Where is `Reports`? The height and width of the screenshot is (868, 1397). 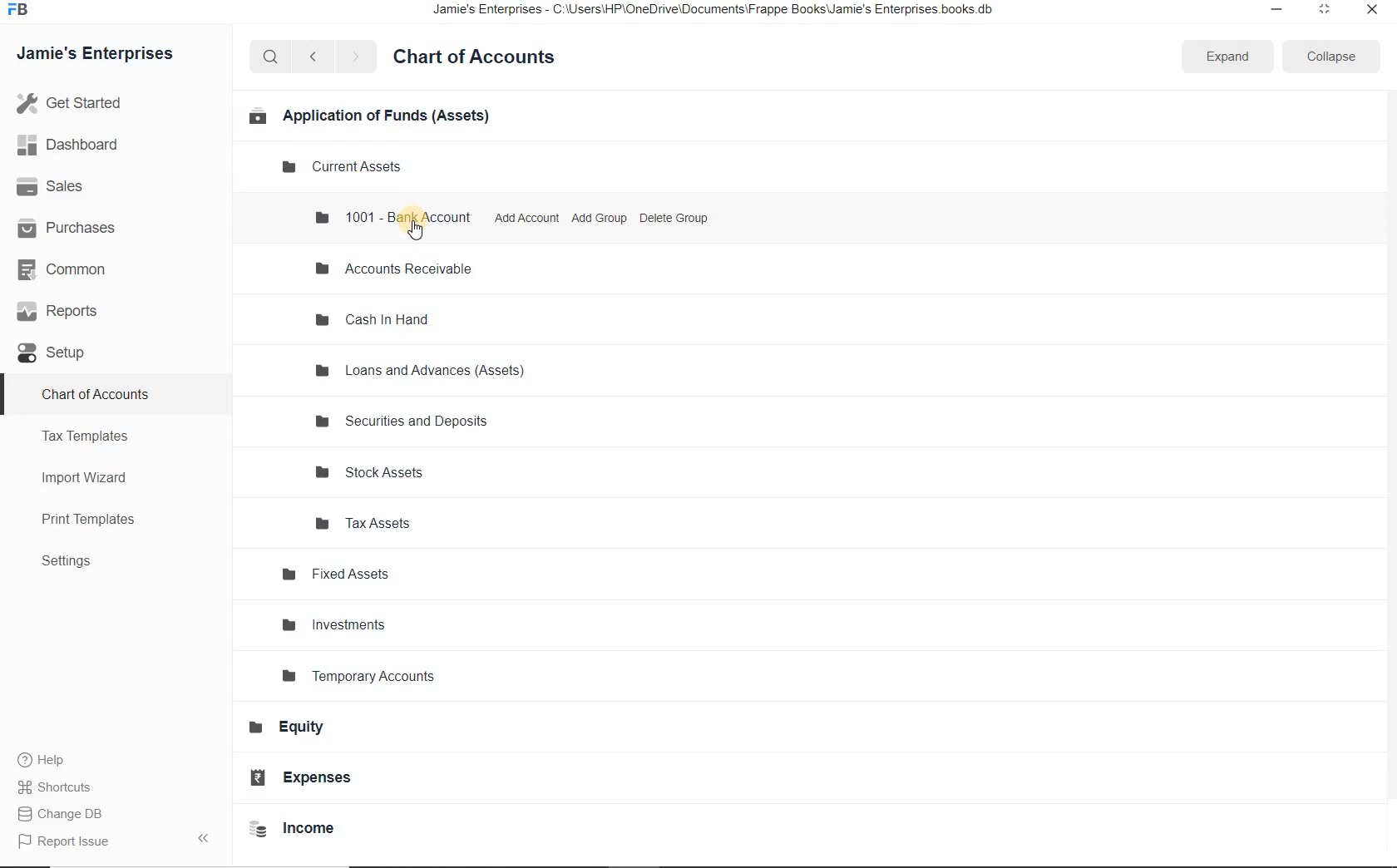 Reports is located at coordinates (74, 313).